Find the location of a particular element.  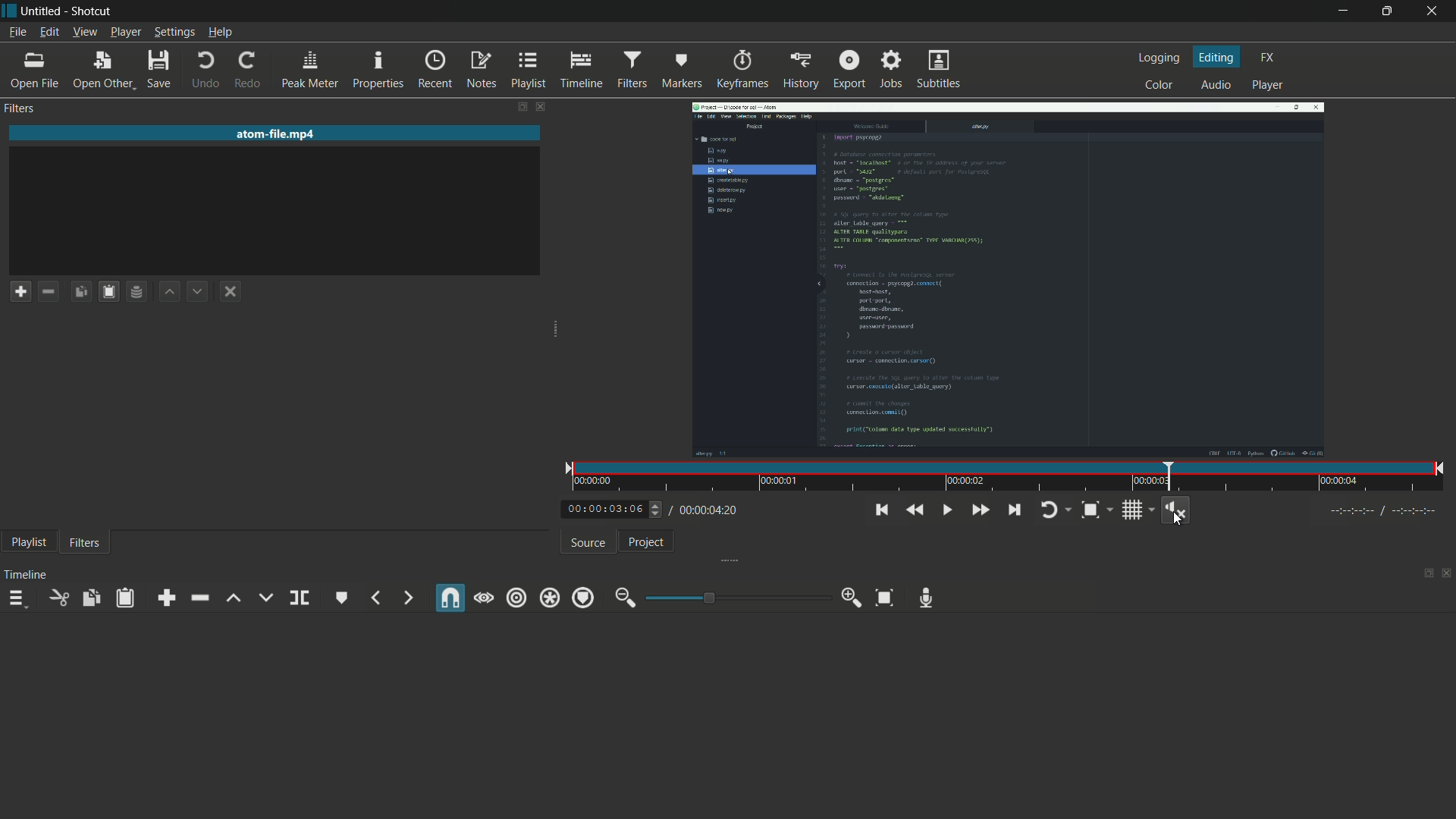

source is located at coordinates (585, 544).